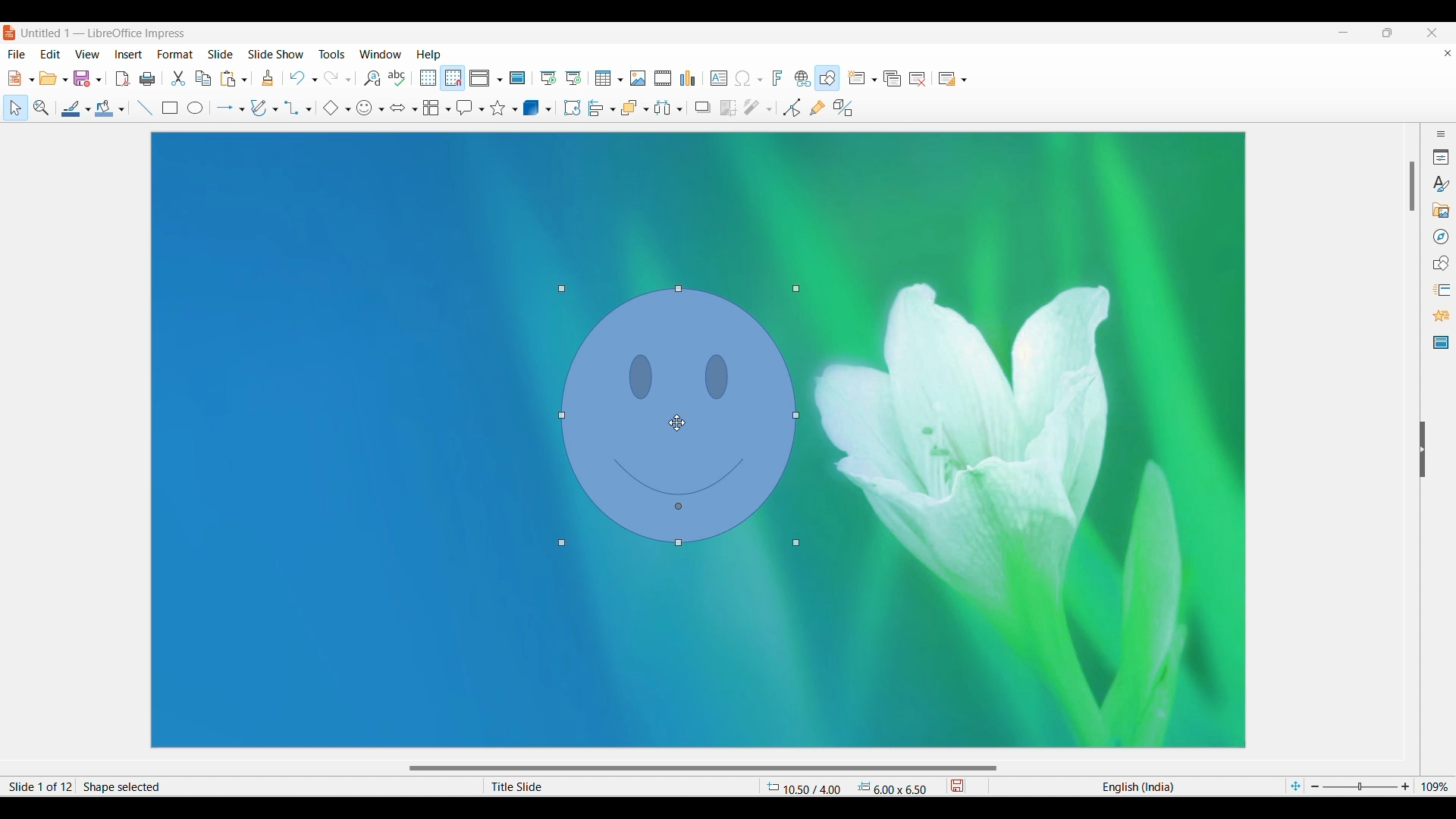 This screenshot has width=1456, height=819. What do you see at coordinates (703, 769) in the screenshot?
I see `Horizontal slide bar` at bounding box center [703, 769].